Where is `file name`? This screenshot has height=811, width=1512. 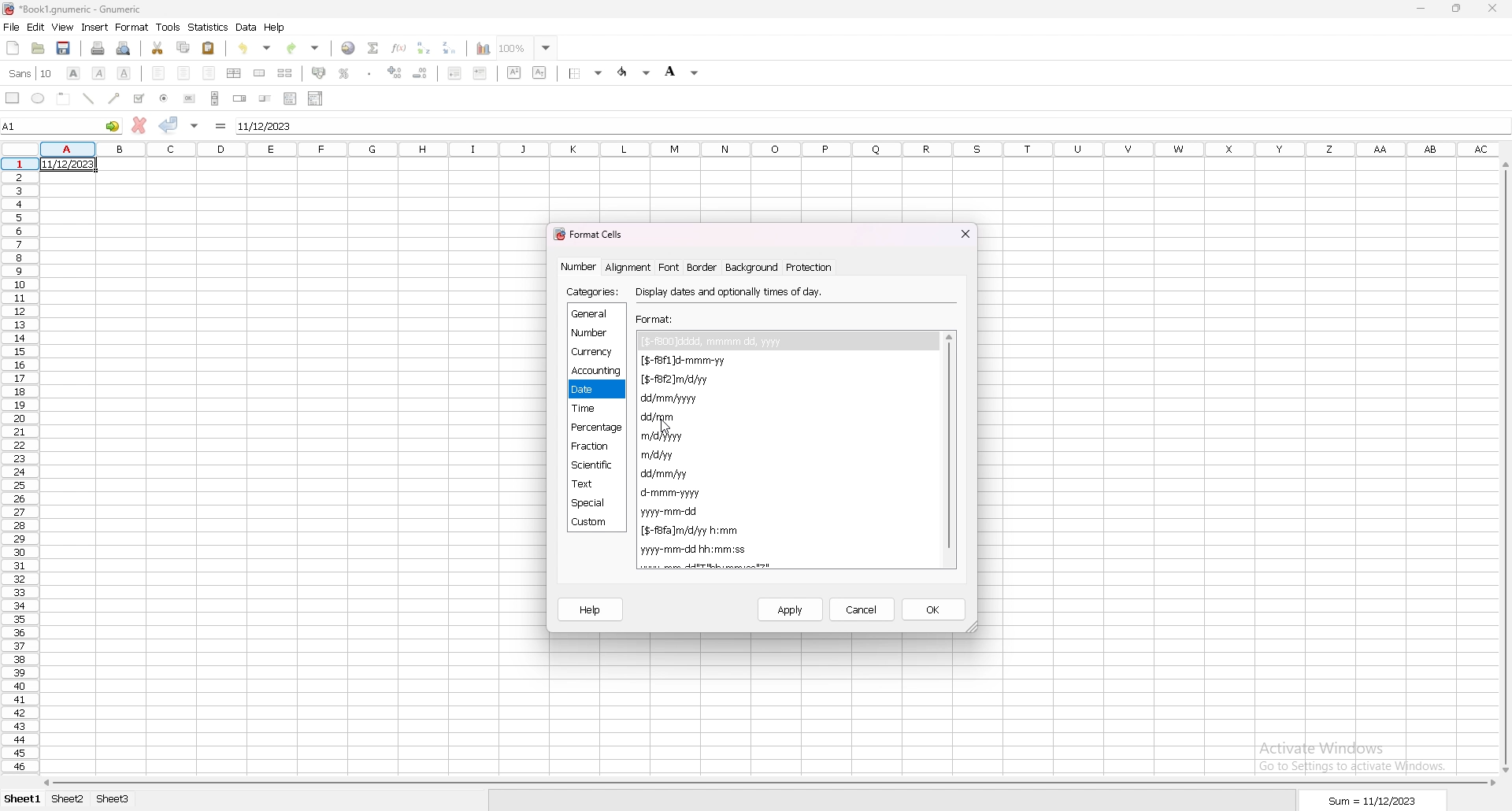
file name is located at coordinates (74, 10).